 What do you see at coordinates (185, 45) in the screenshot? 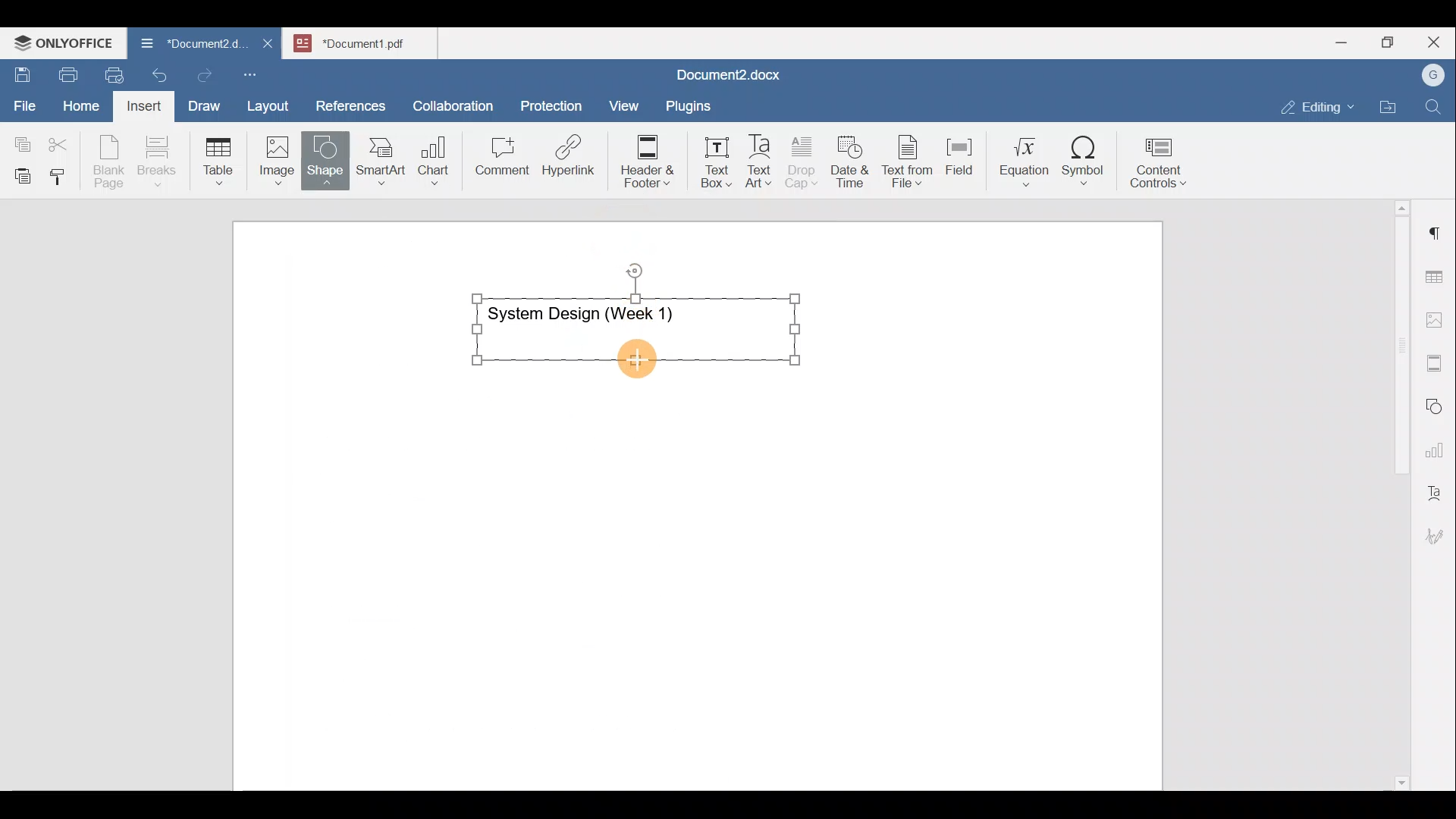
I see `Document name` at bounding box center [185, 45].